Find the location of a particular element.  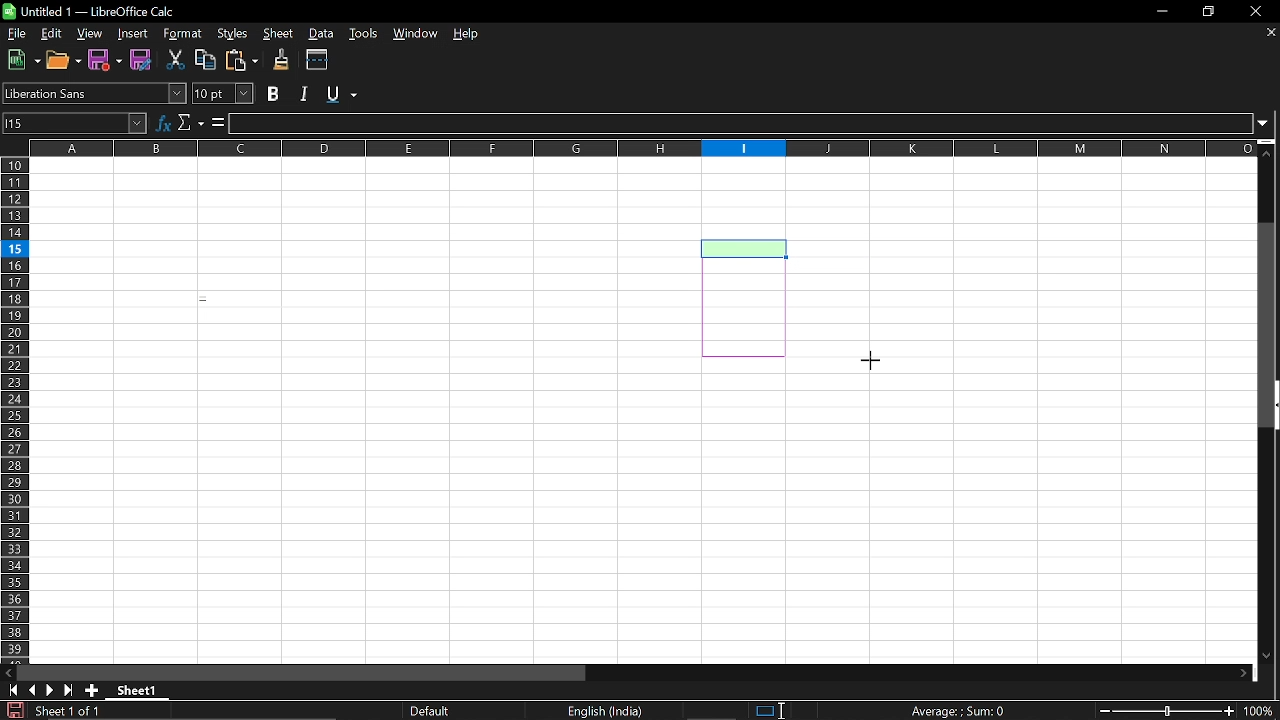

Styles is located at coordinates (229, 34).